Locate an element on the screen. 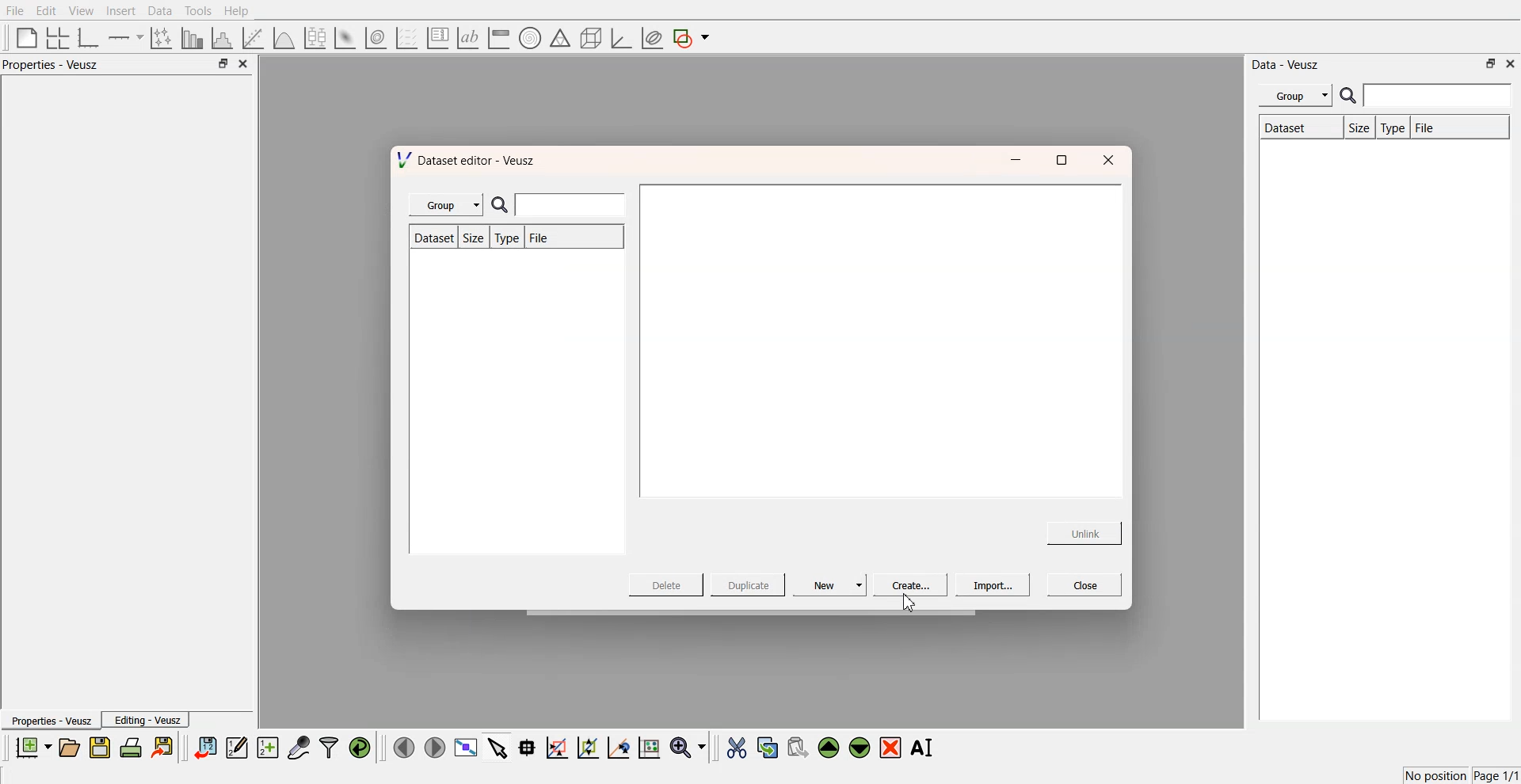 Image resolution: width=1521 pixels, height=784 pixels. move the selected widgets up is located at coordinates (830, 748).